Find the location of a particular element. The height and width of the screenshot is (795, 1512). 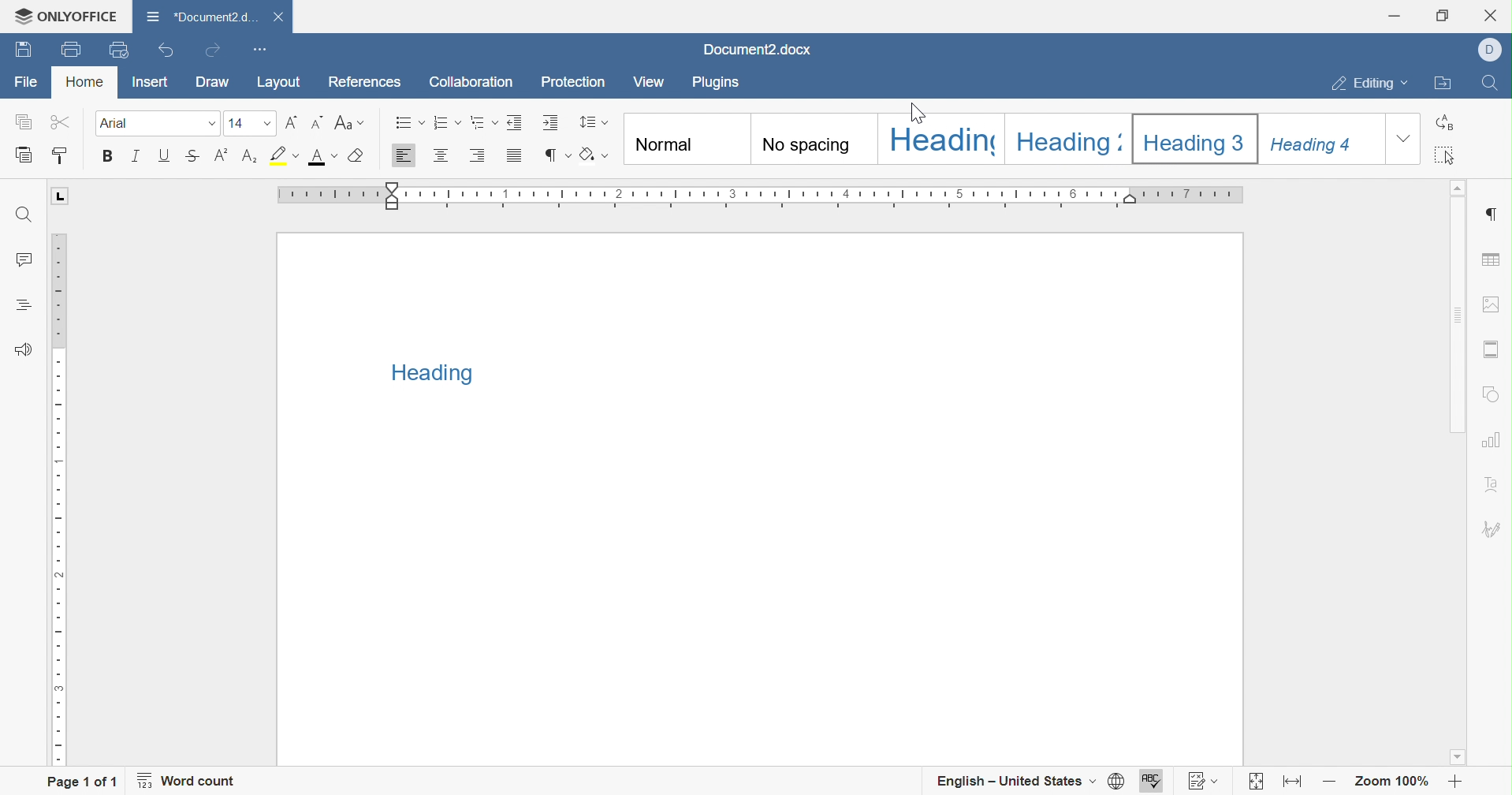

Shape settings is located at coordinates (1493, 394).